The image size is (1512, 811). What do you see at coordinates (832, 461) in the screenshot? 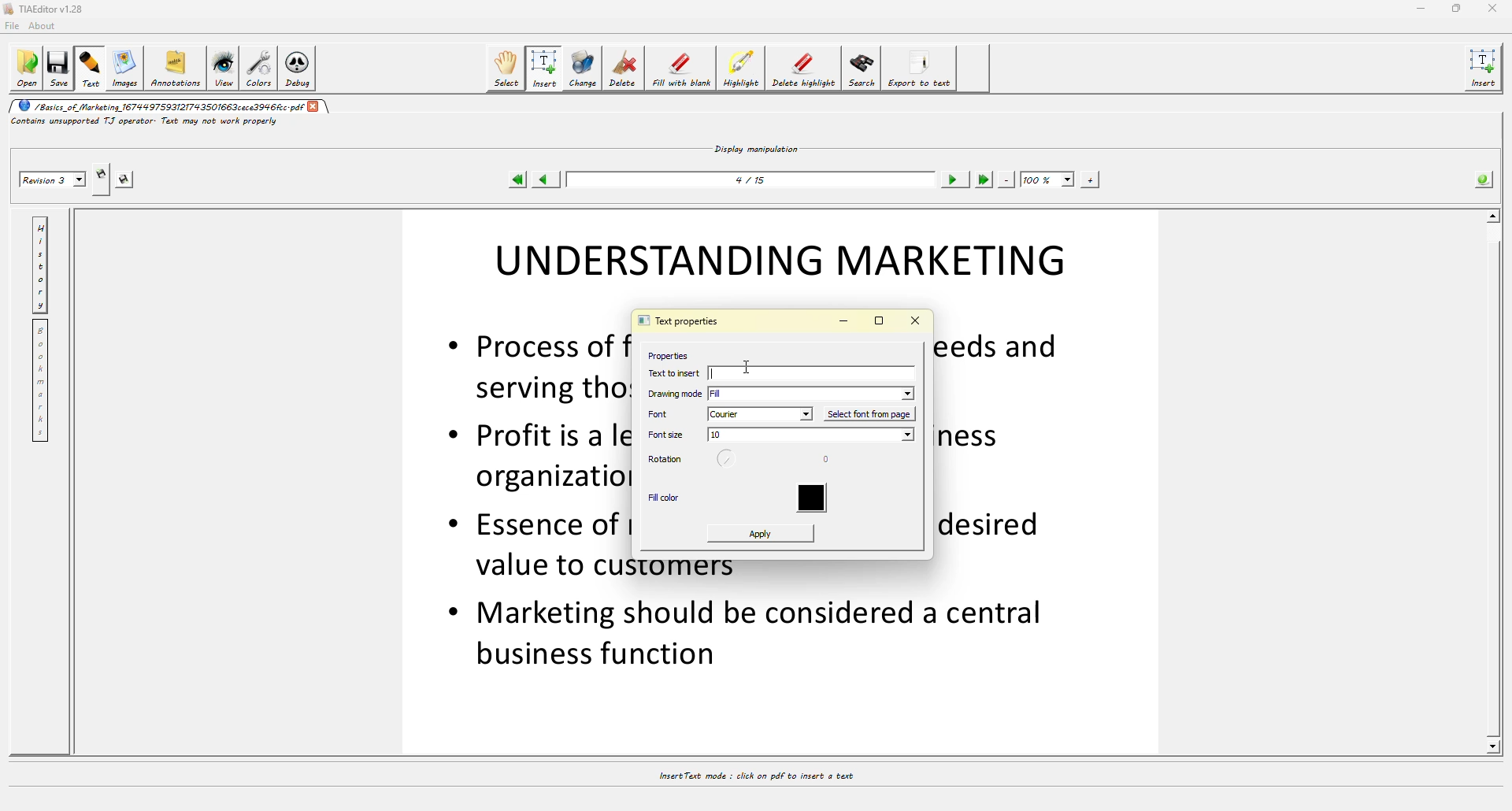
I see `degree` at bounding box center [832, 461].